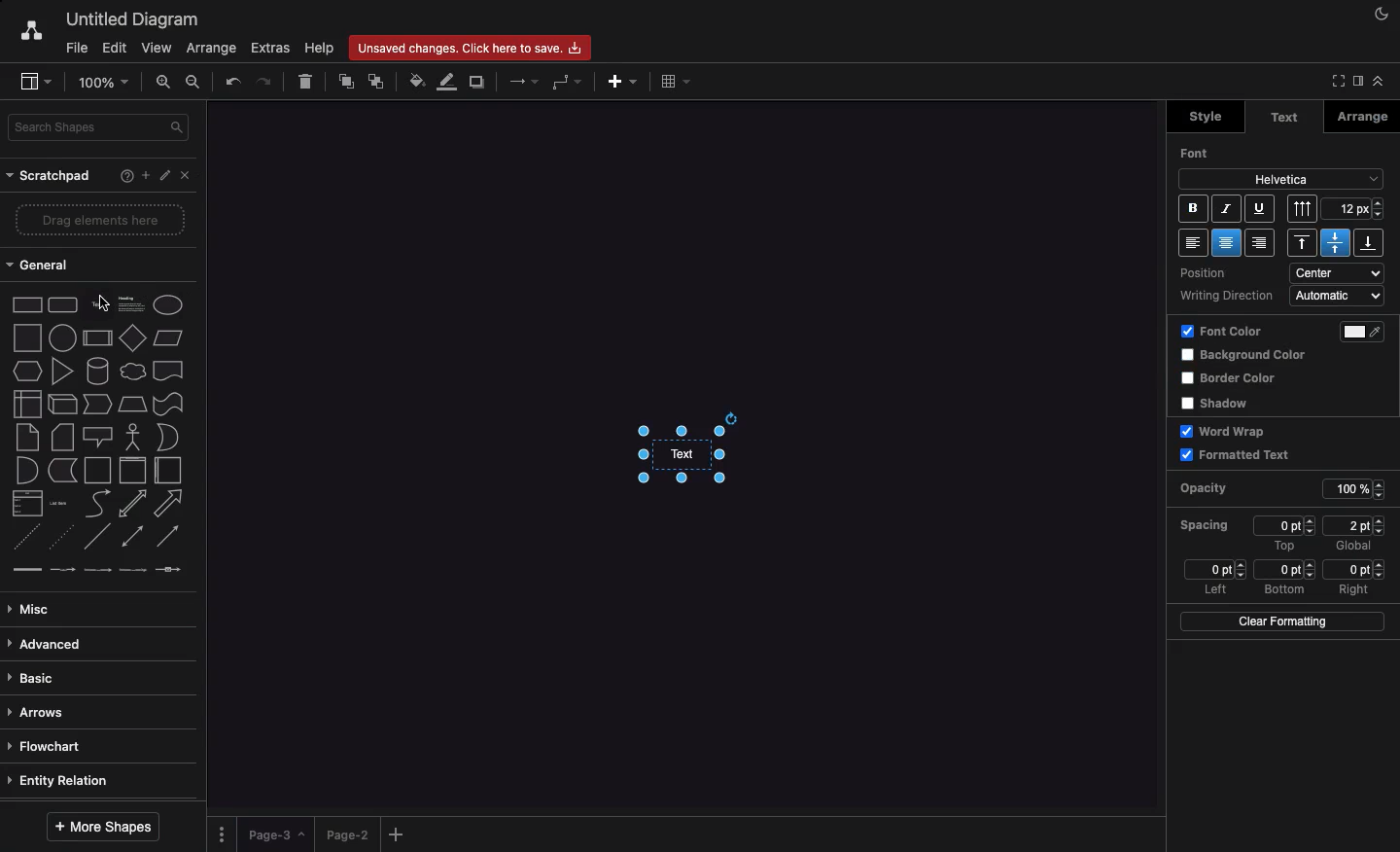 The image size is (1400, 852). Describe the element at coordinates (345, 834) in the screenshot. I see `Page 2` at that location.